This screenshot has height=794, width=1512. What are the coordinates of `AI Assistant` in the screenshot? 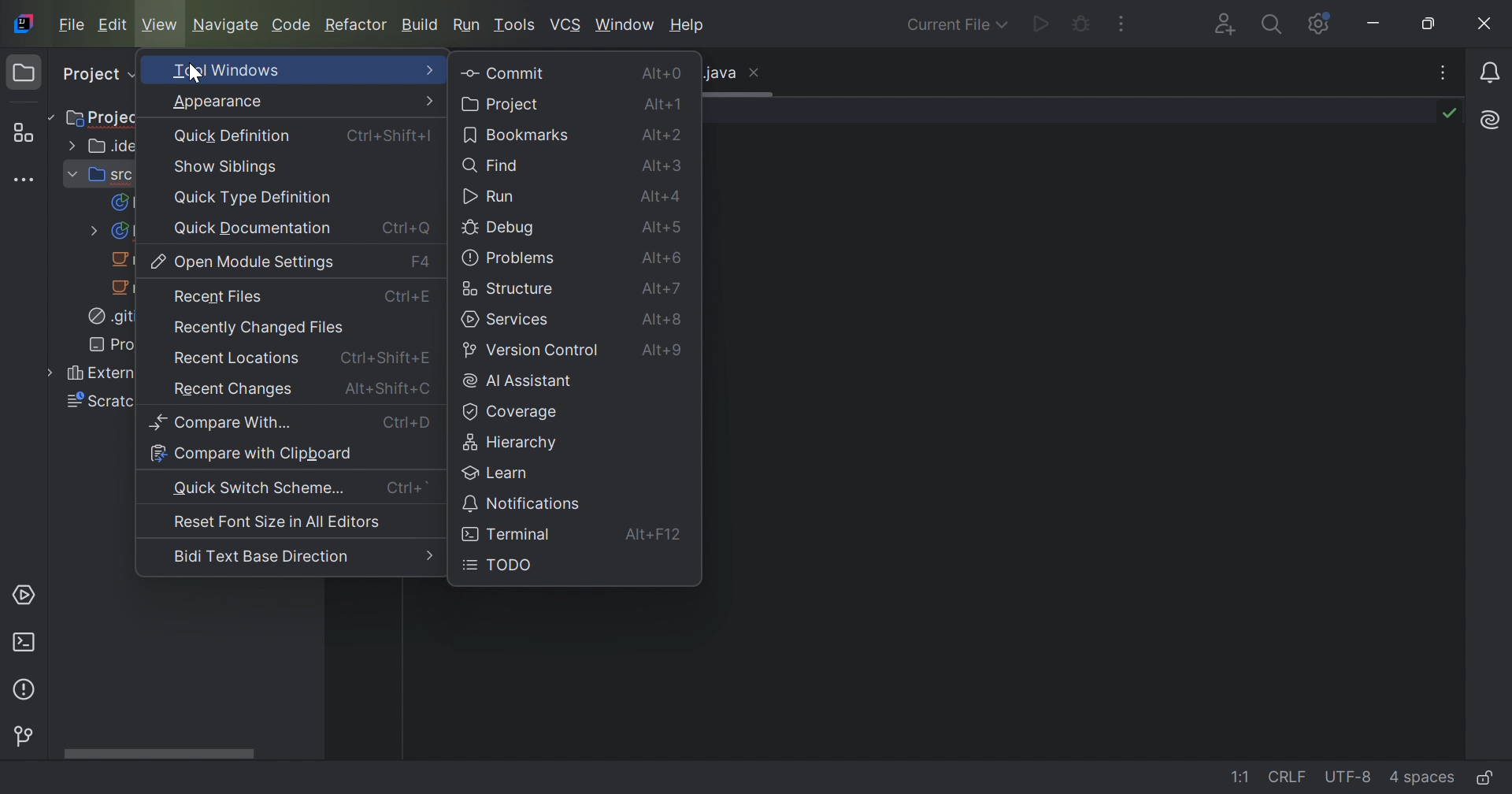 It's located at (518, 382).